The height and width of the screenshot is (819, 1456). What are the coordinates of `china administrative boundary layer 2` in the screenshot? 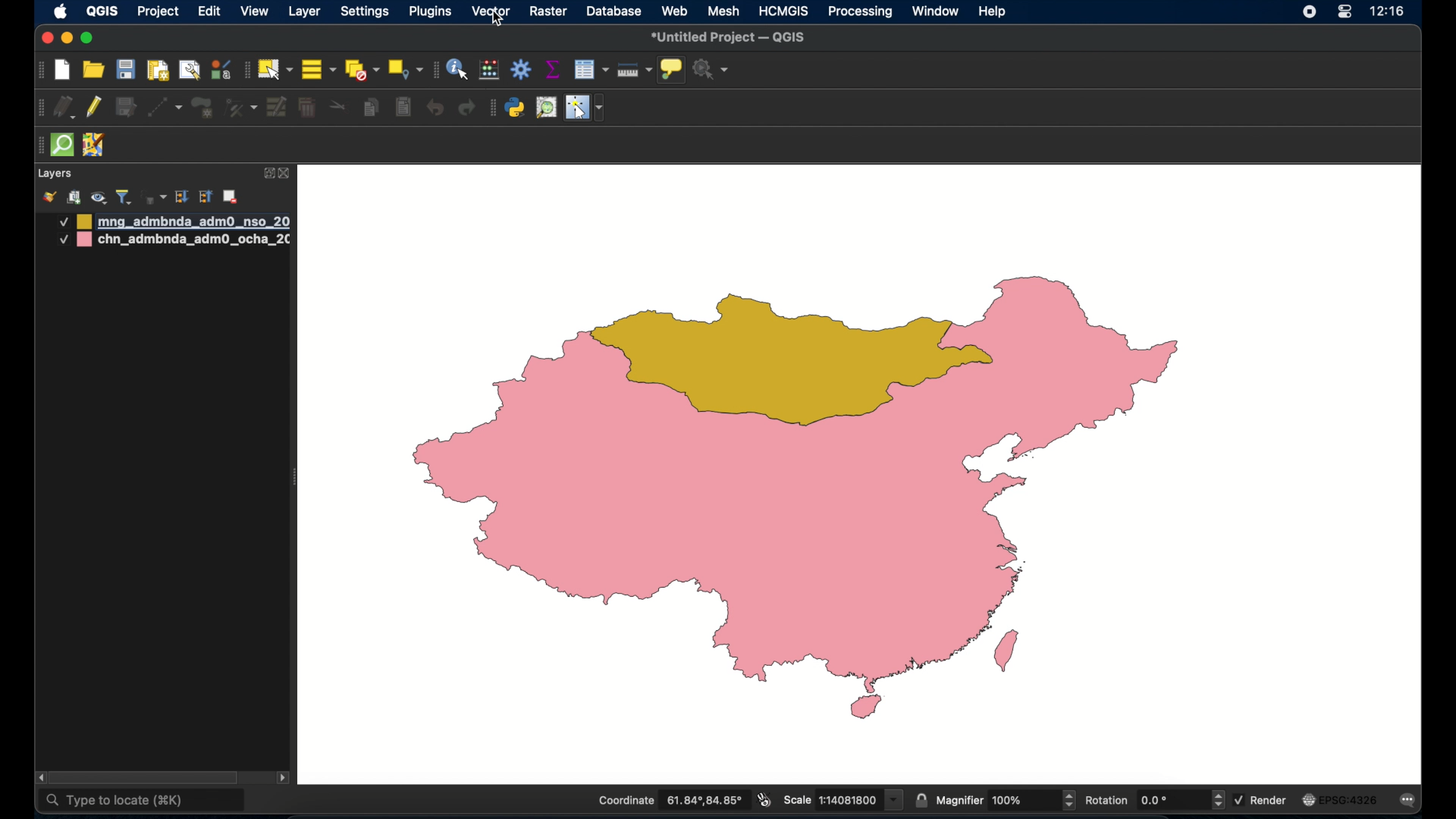 It's located at (174, 241).